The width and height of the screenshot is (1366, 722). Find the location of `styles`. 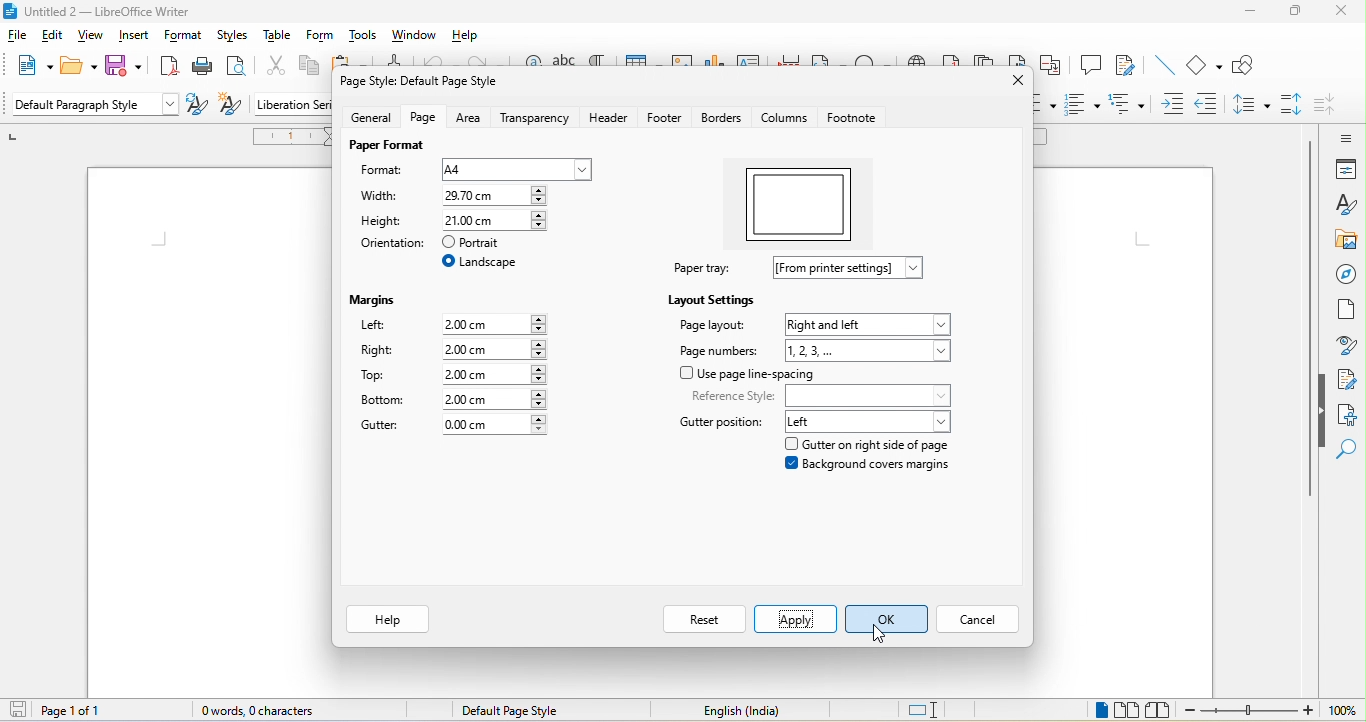

styles is located at coordinates (236, 39).